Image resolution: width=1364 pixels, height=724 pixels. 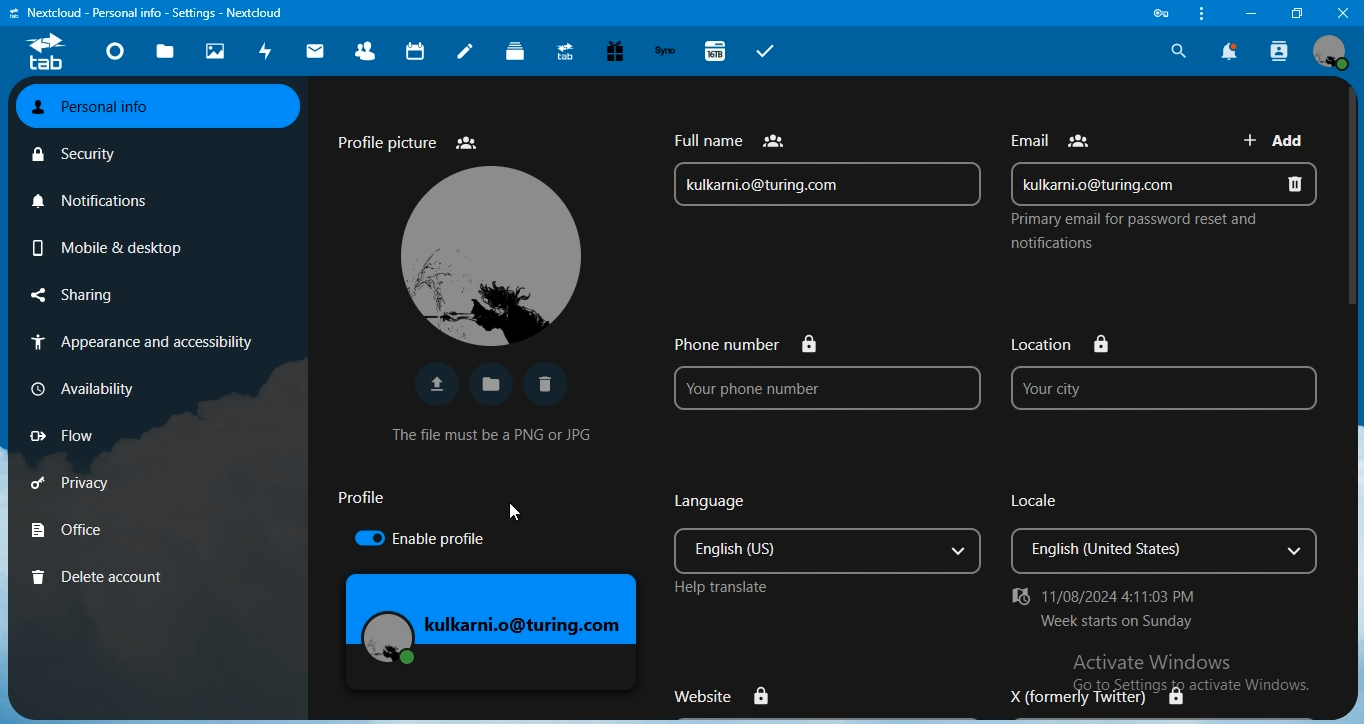 What do you see at coordinates (616, 52) in the screenshot?
I see `free trial` at bounding box center [616, 52].